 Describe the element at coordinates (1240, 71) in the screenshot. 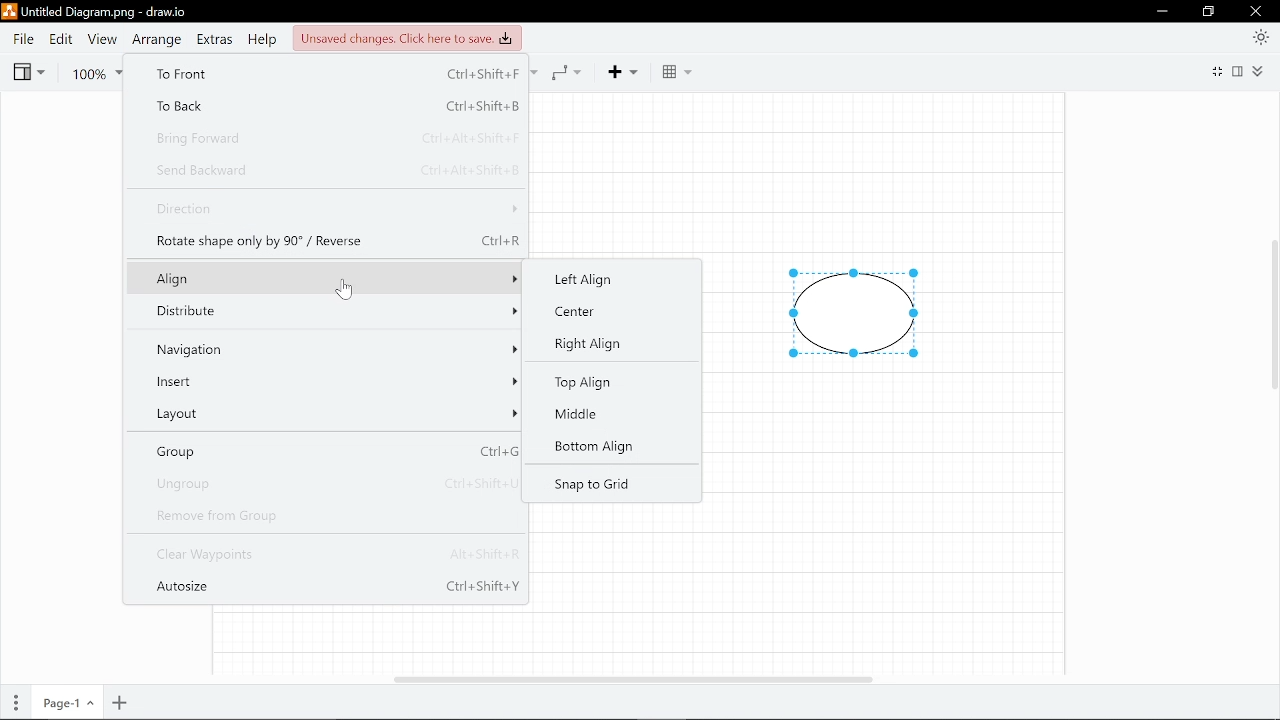

I see `Format` at that location.